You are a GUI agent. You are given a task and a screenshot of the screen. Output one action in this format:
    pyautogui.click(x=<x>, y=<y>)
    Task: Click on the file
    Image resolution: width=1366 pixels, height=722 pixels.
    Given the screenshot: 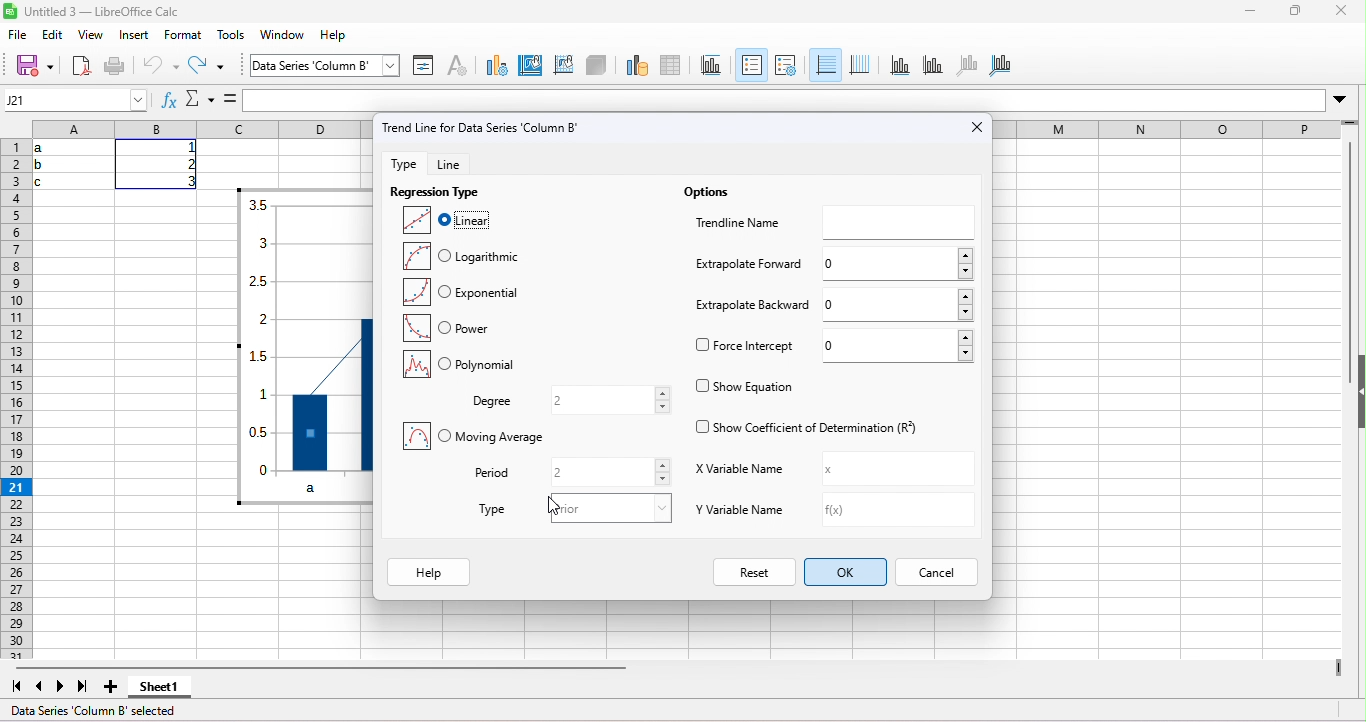 What is the action you would take?
    pyautogui.click(x=18, y=37)
    